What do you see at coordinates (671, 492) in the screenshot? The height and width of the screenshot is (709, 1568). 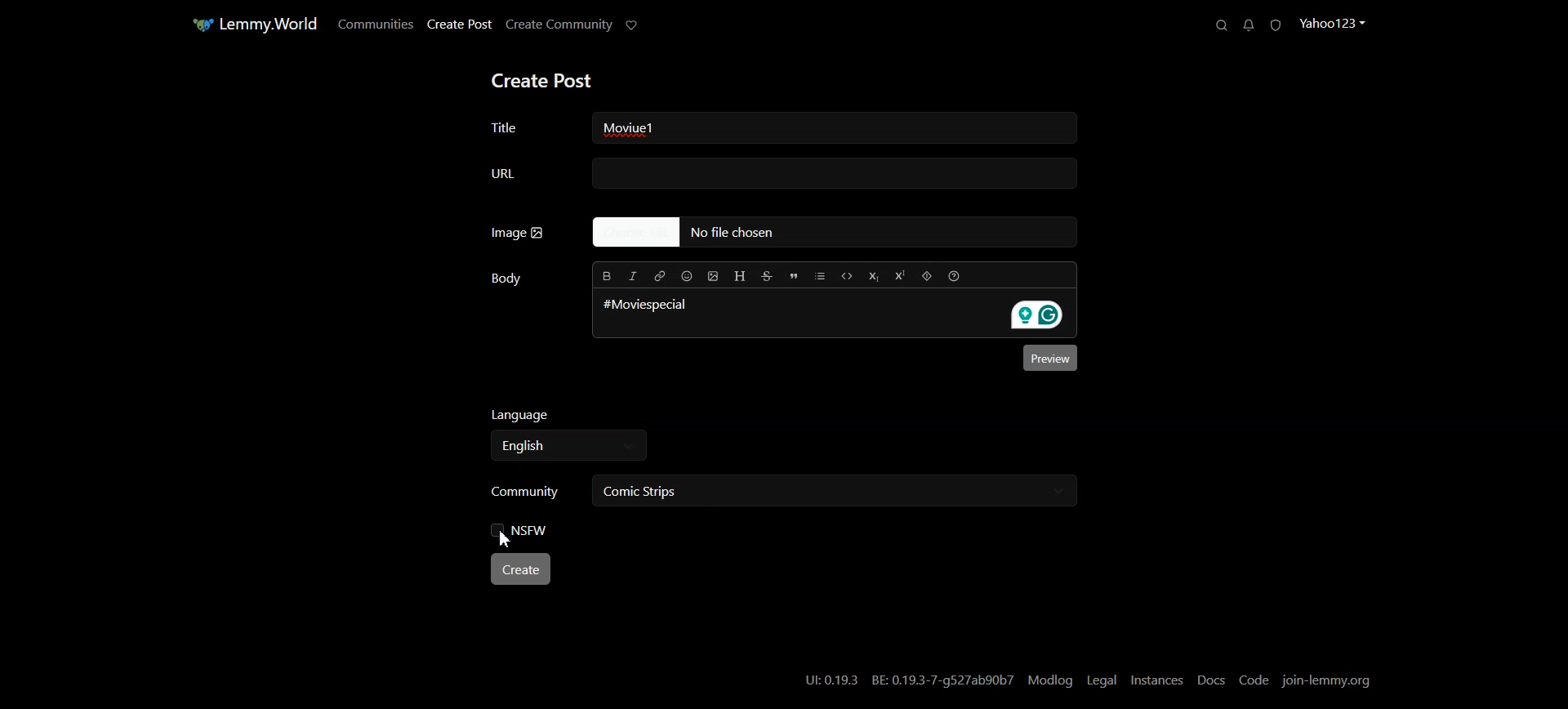 I see `Comic Strips` at bounding box center [671, 492].